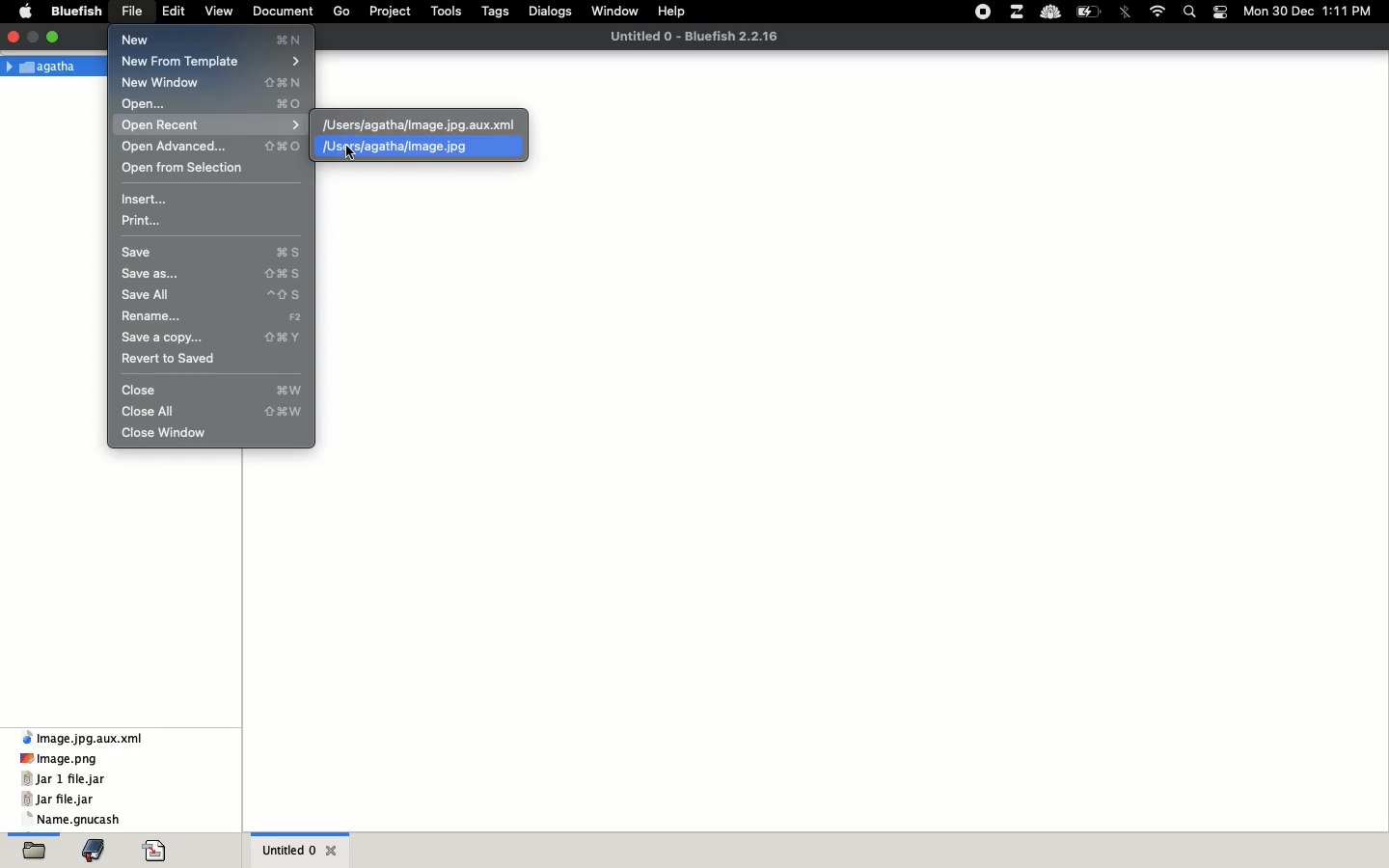  Describe the element at coordinates (1222, 12) in the screenshot. I see `notification` at that location.